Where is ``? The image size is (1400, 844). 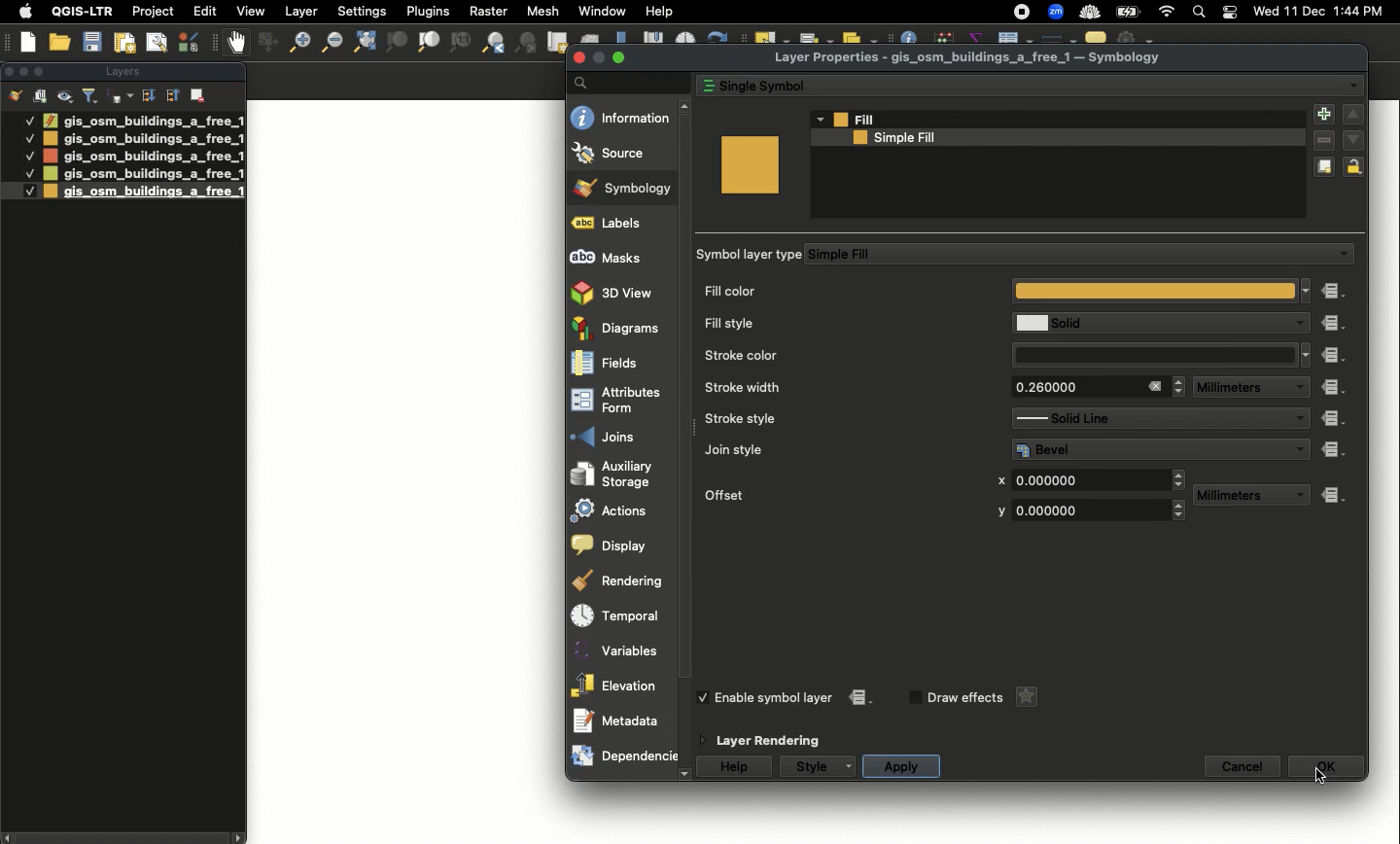
 is located at coordinates (217, 42).